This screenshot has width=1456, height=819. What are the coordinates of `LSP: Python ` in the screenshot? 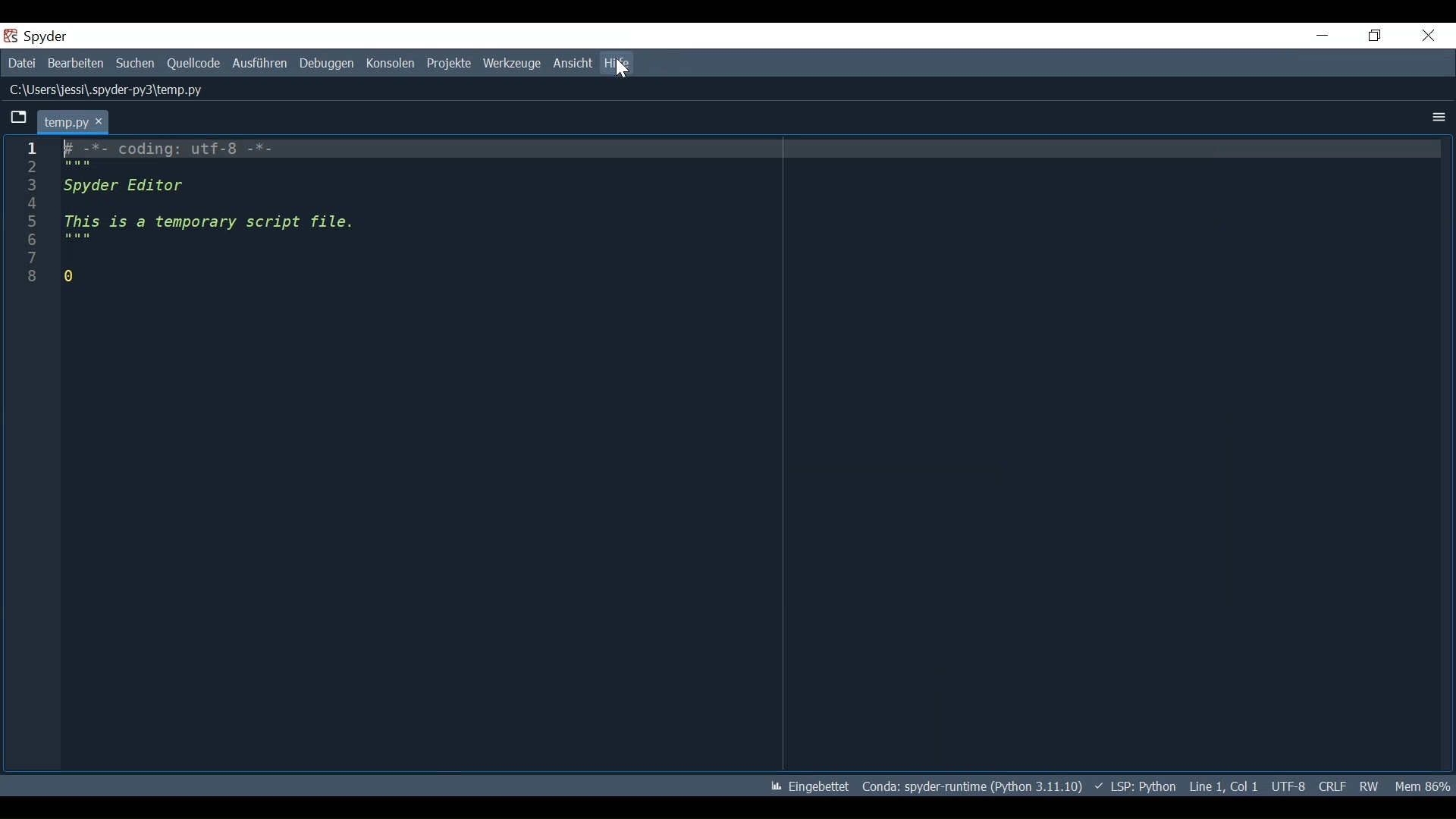 It's located at (1137, 786).